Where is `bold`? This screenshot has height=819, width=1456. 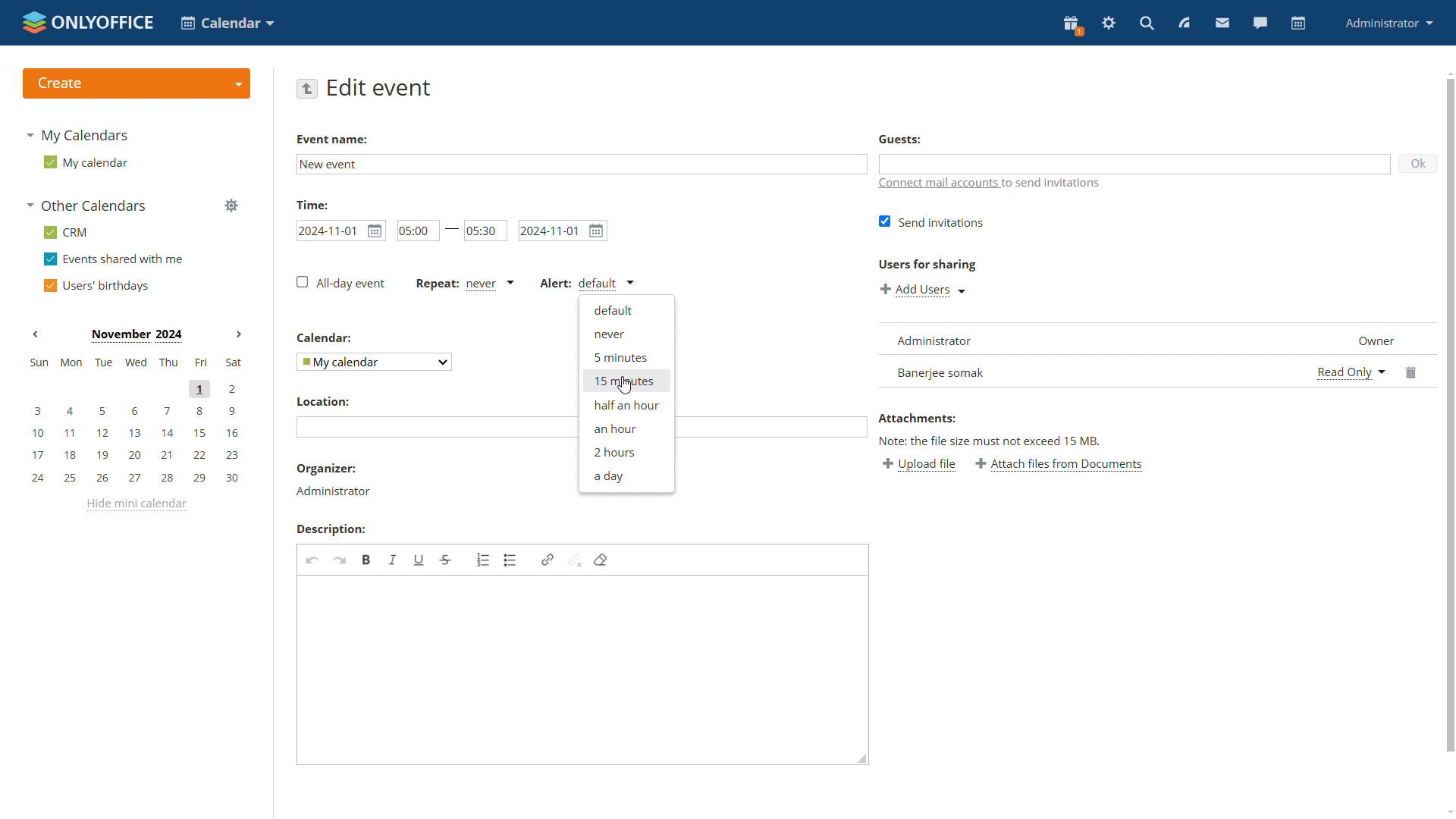 bold is located at coordinates (367, 560).